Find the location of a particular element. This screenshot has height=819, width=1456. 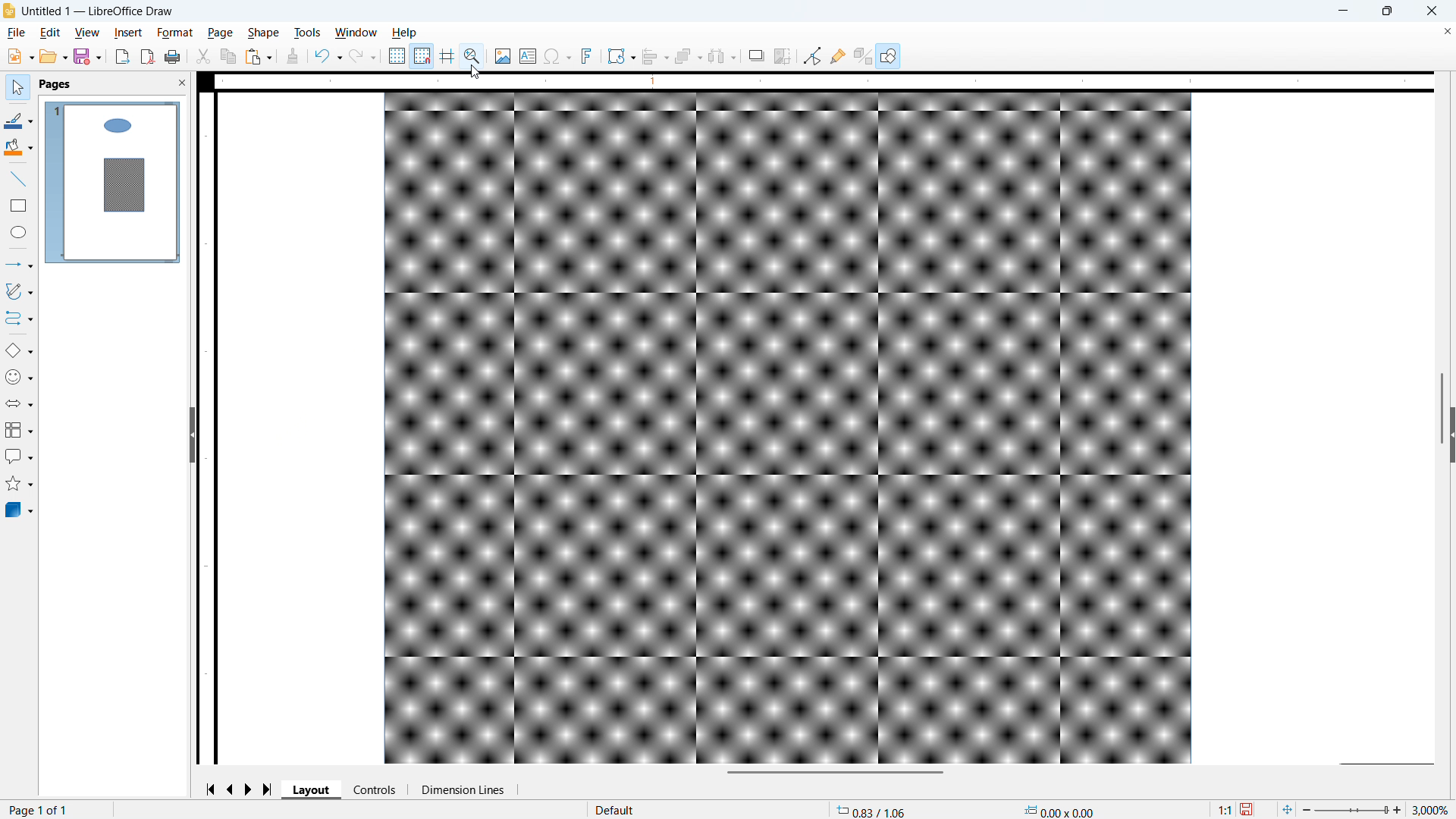

Print  is located at coordinates (173, 56).